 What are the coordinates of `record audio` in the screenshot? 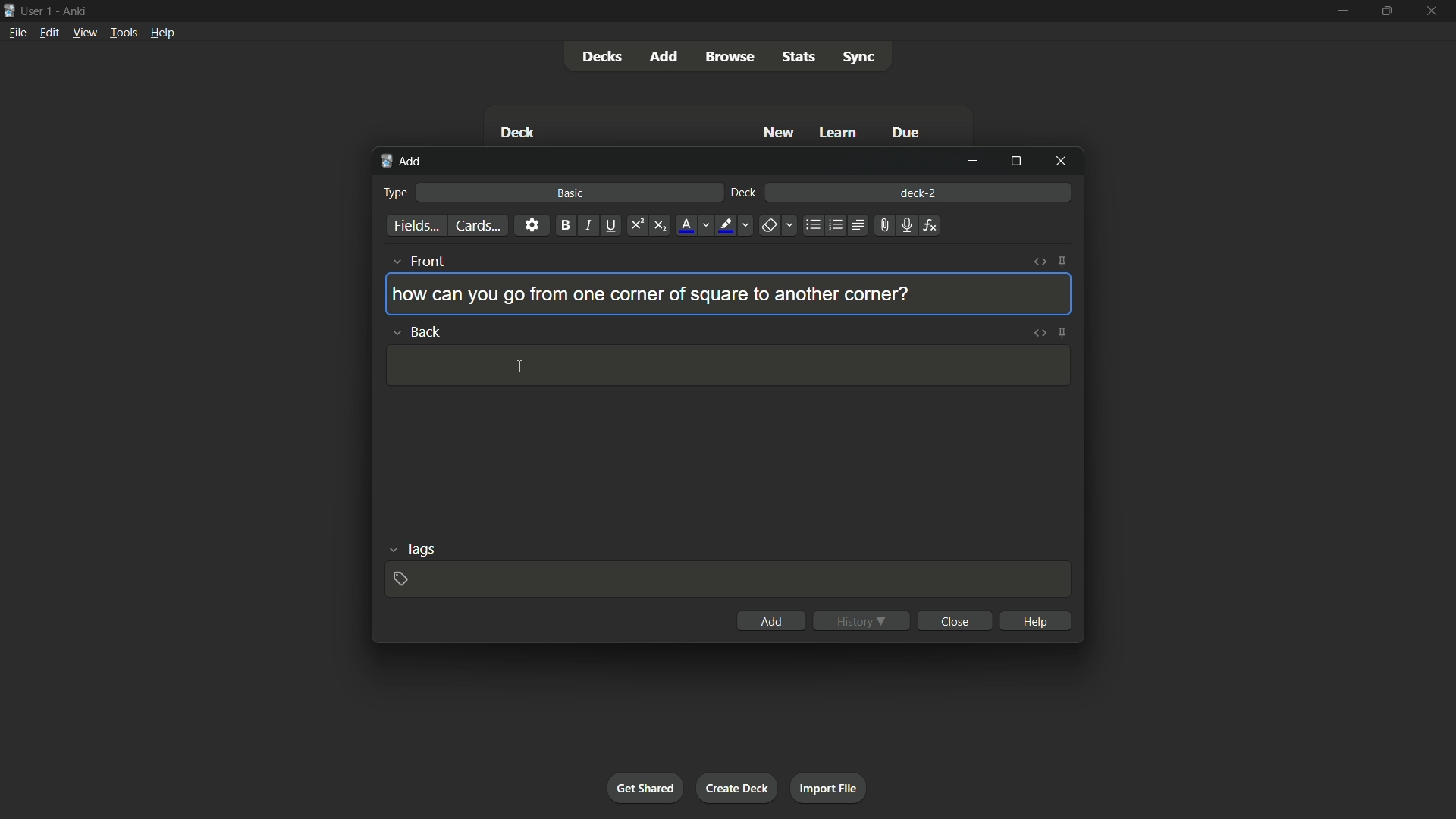 It's located at (905, 225).